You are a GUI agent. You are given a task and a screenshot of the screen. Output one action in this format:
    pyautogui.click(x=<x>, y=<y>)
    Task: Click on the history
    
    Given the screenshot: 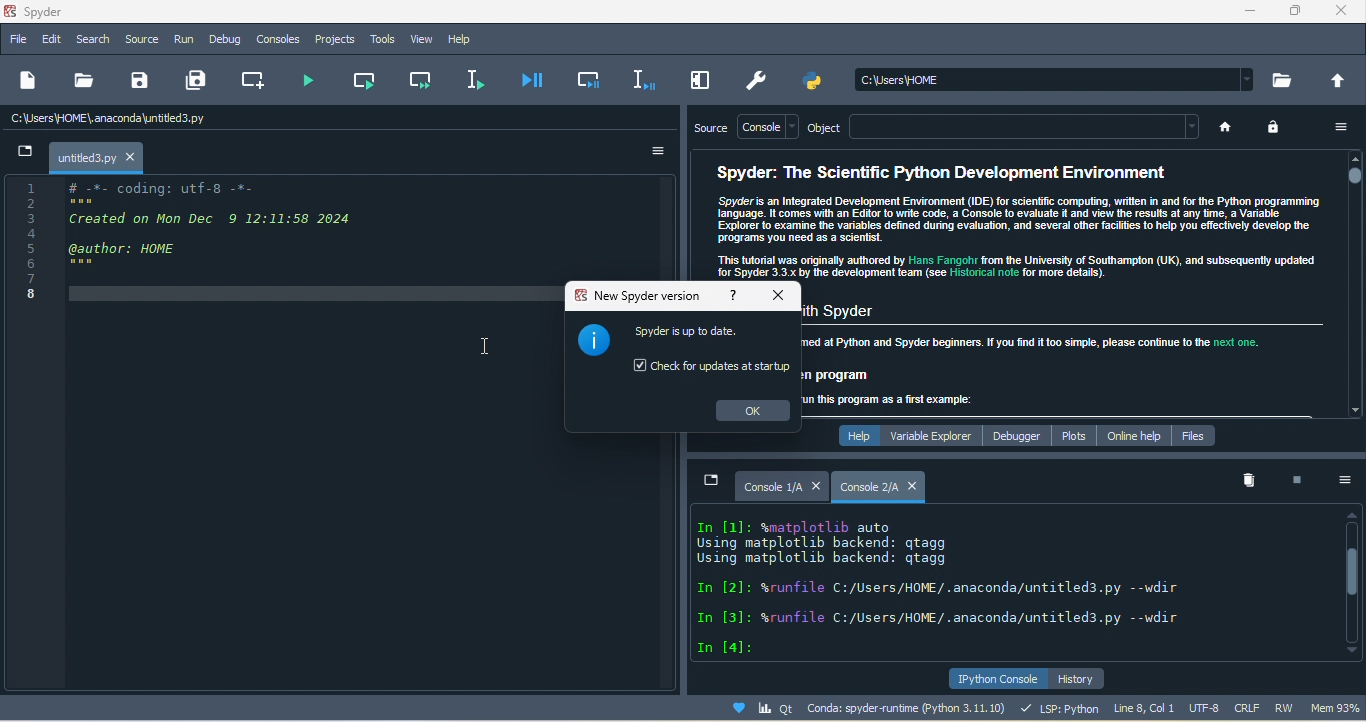 What is the action you would take?
    pyautogui.click(x=1089, y=677)
    